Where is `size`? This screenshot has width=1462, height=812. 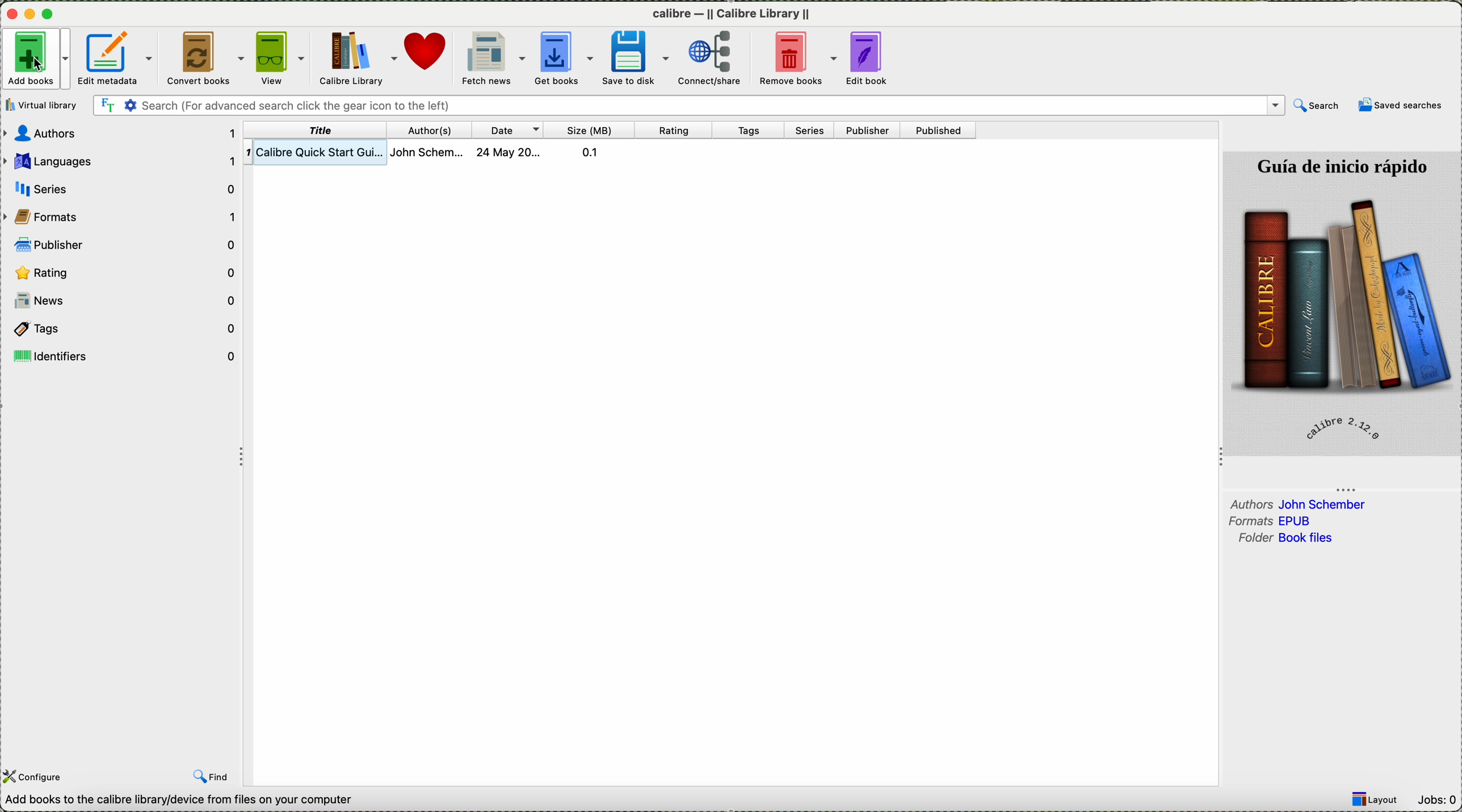
size is located at coordinates (590, 129).